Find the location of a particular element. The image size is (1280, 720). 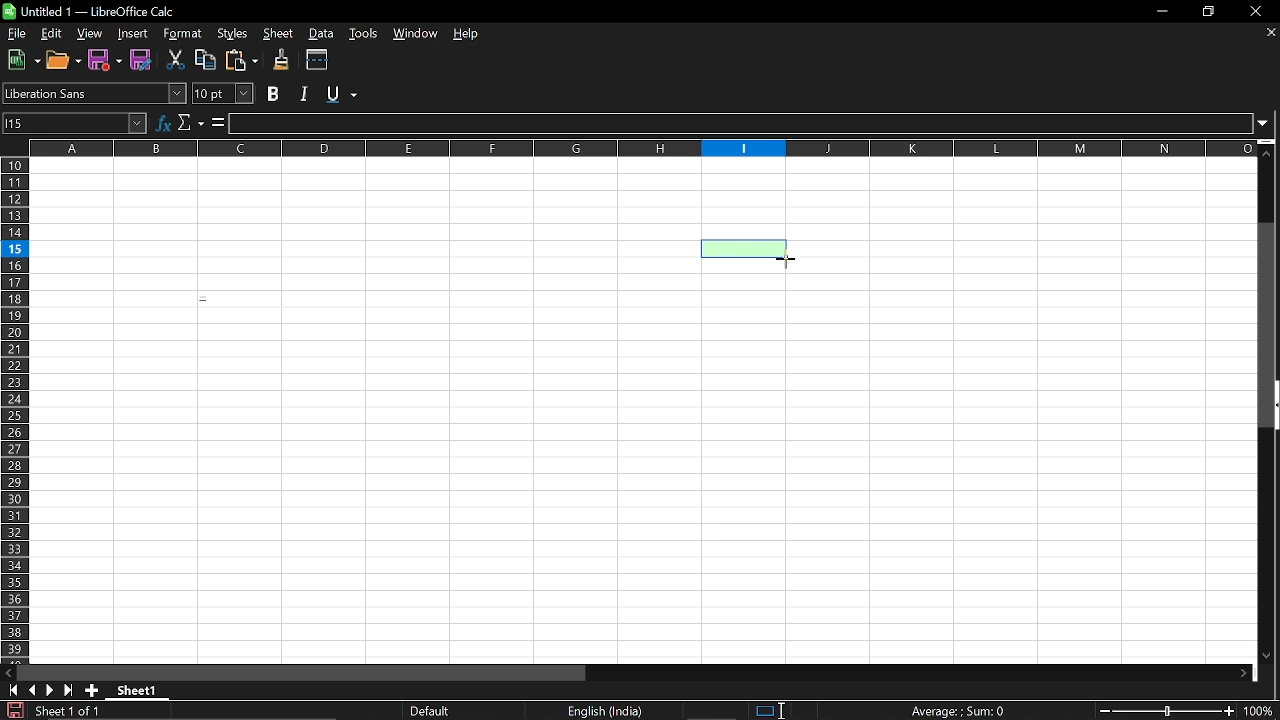

Fillable cell is located at coordinates (743, 198).